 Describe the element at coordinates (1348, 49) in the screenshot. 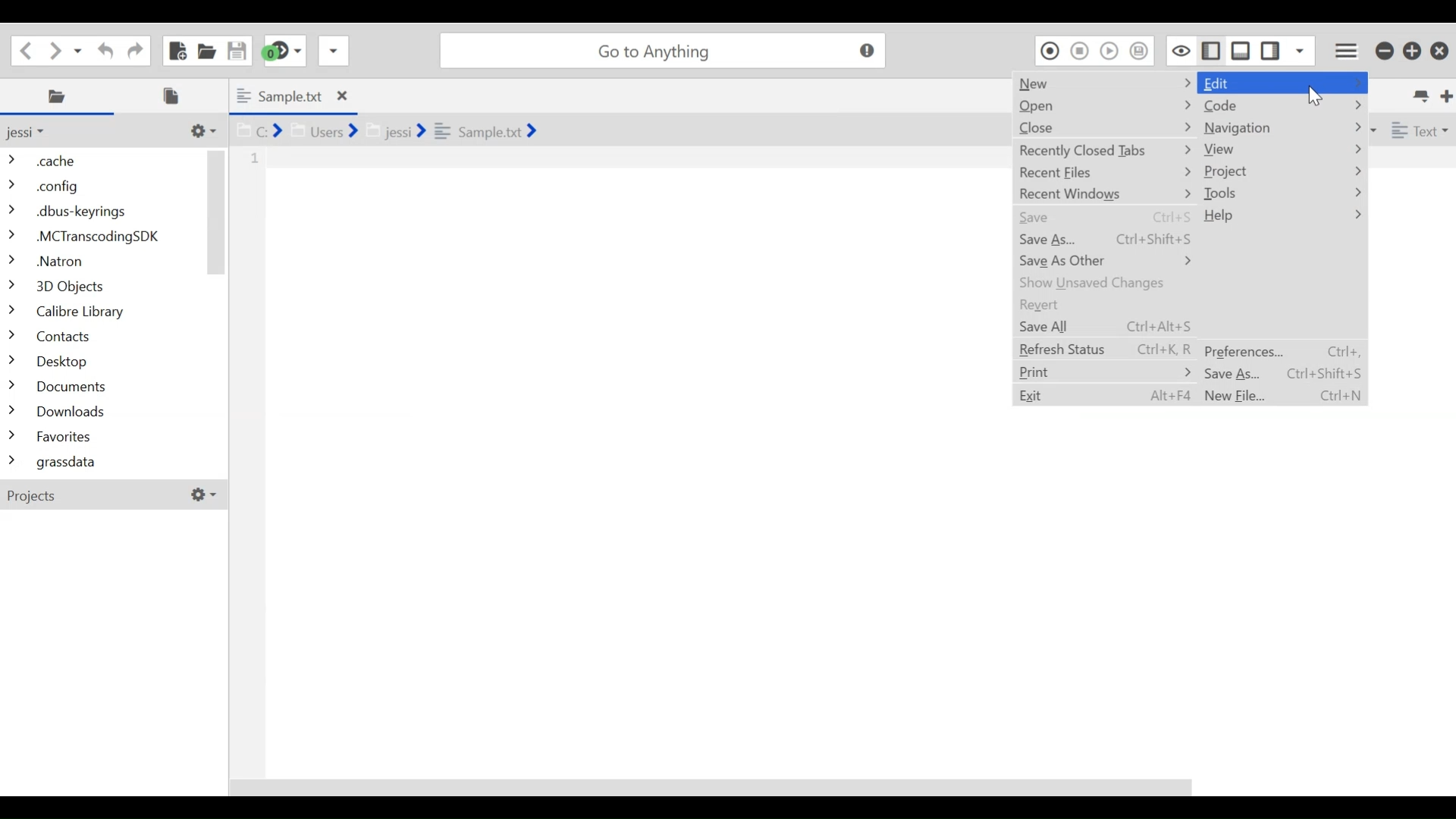

I see `Application menu` at that location.